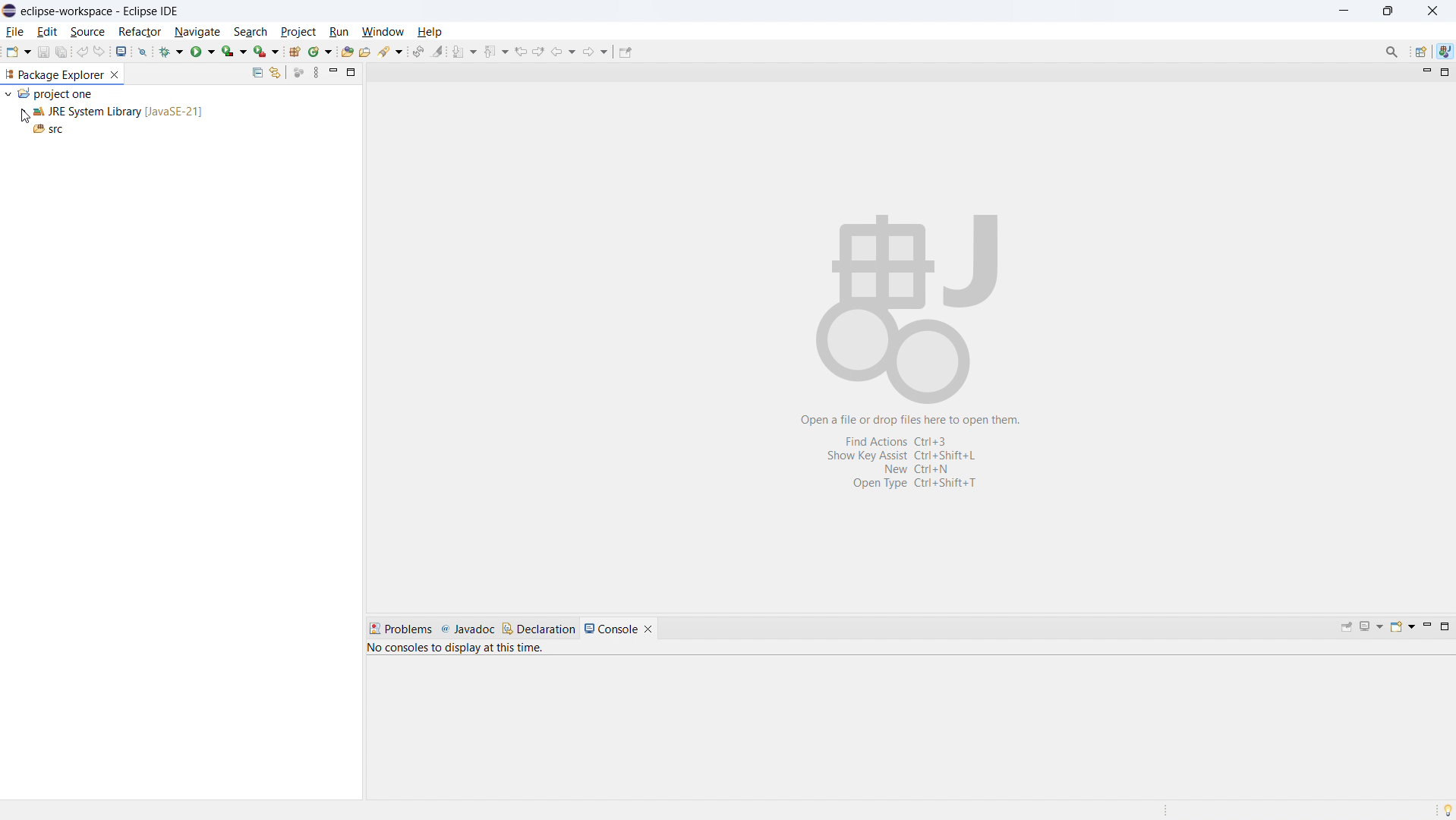 The height and width of the screenshot is (820, 1456). I want to click on focus on active task, so click(298, 71).